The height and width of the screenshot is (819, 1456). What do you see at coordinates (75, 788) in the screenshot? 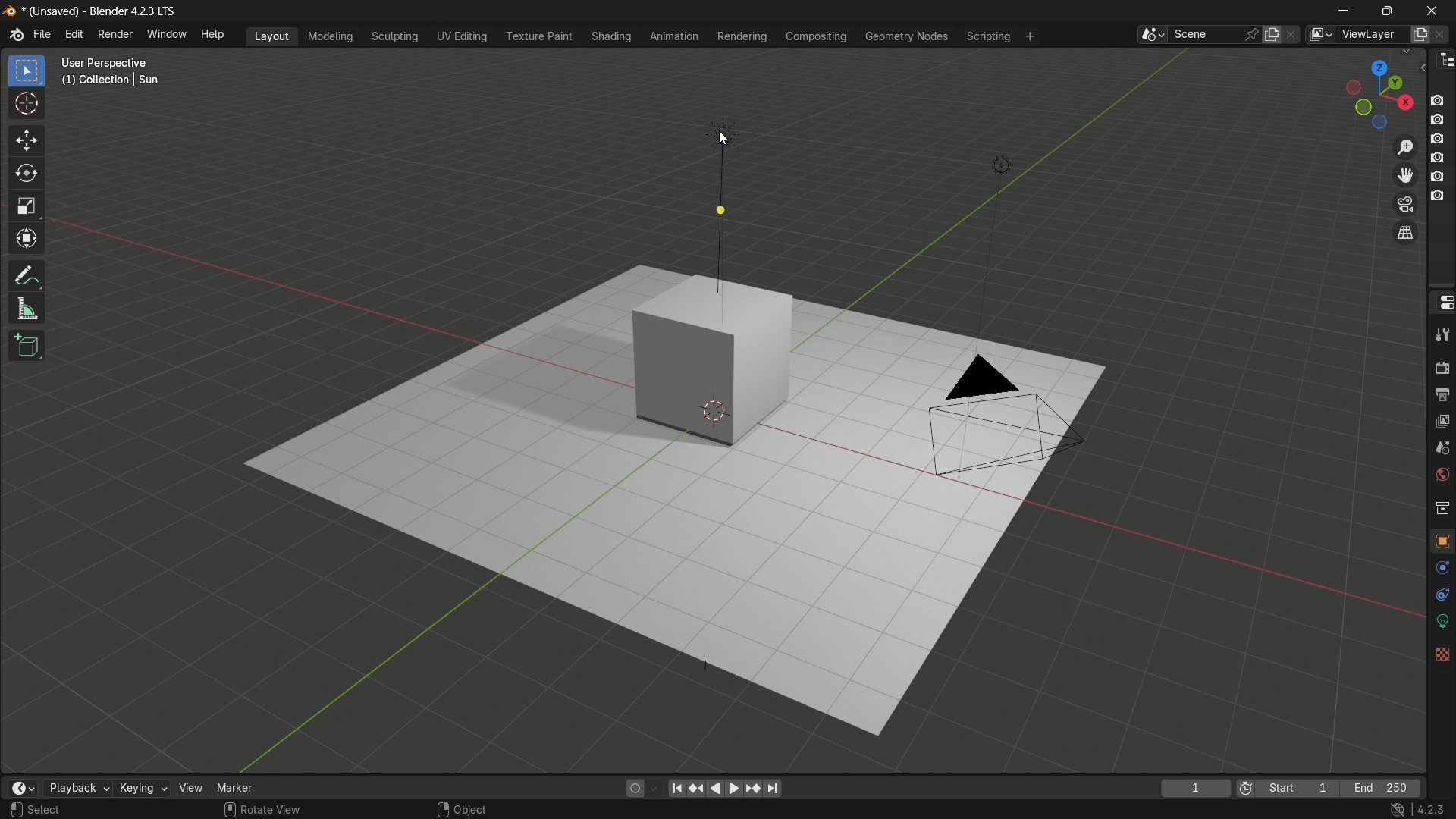
I see `playback` at bounding box center [75, 788].